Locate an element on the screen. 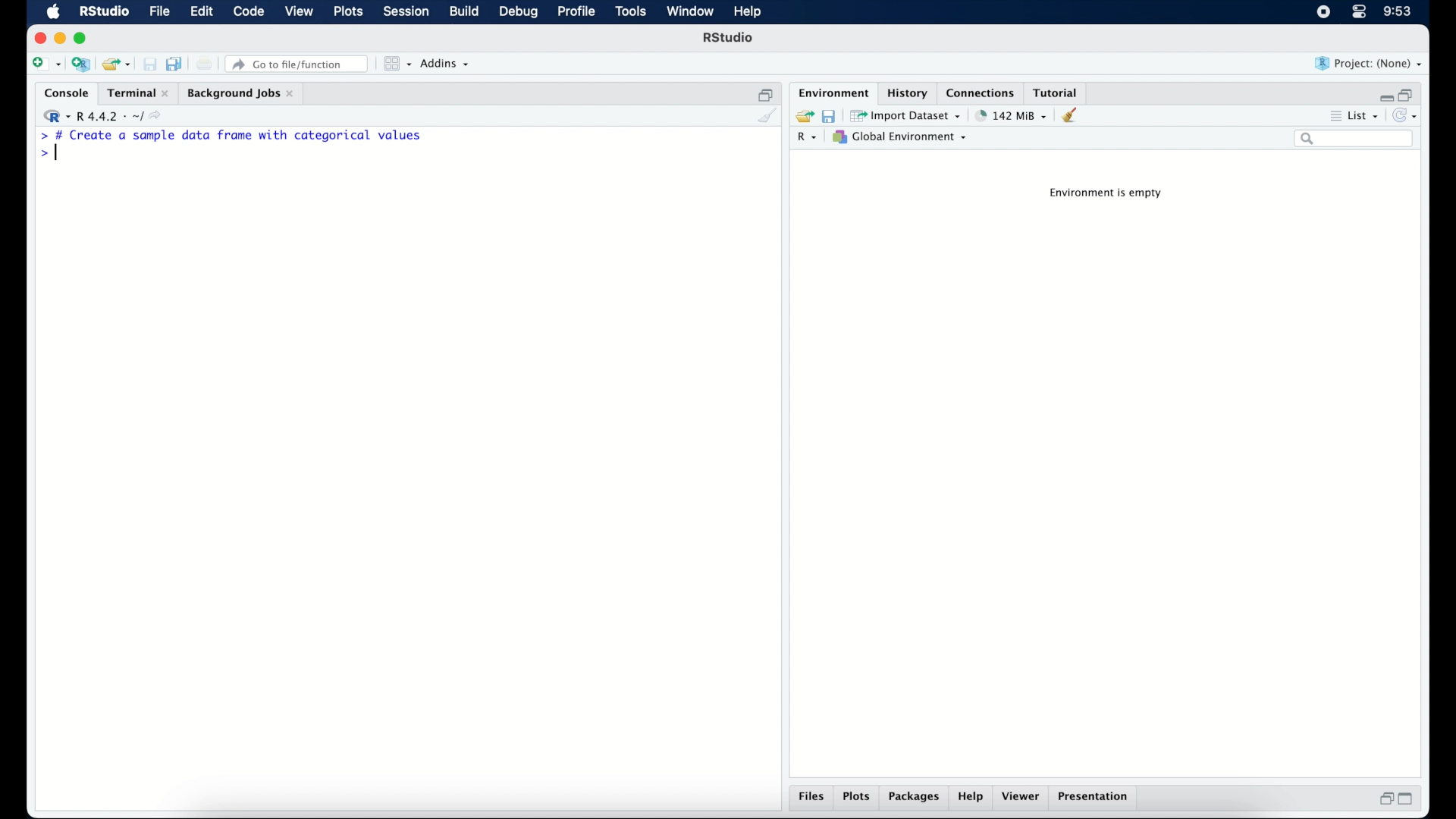  clear is located at coordinates (1075, 116).